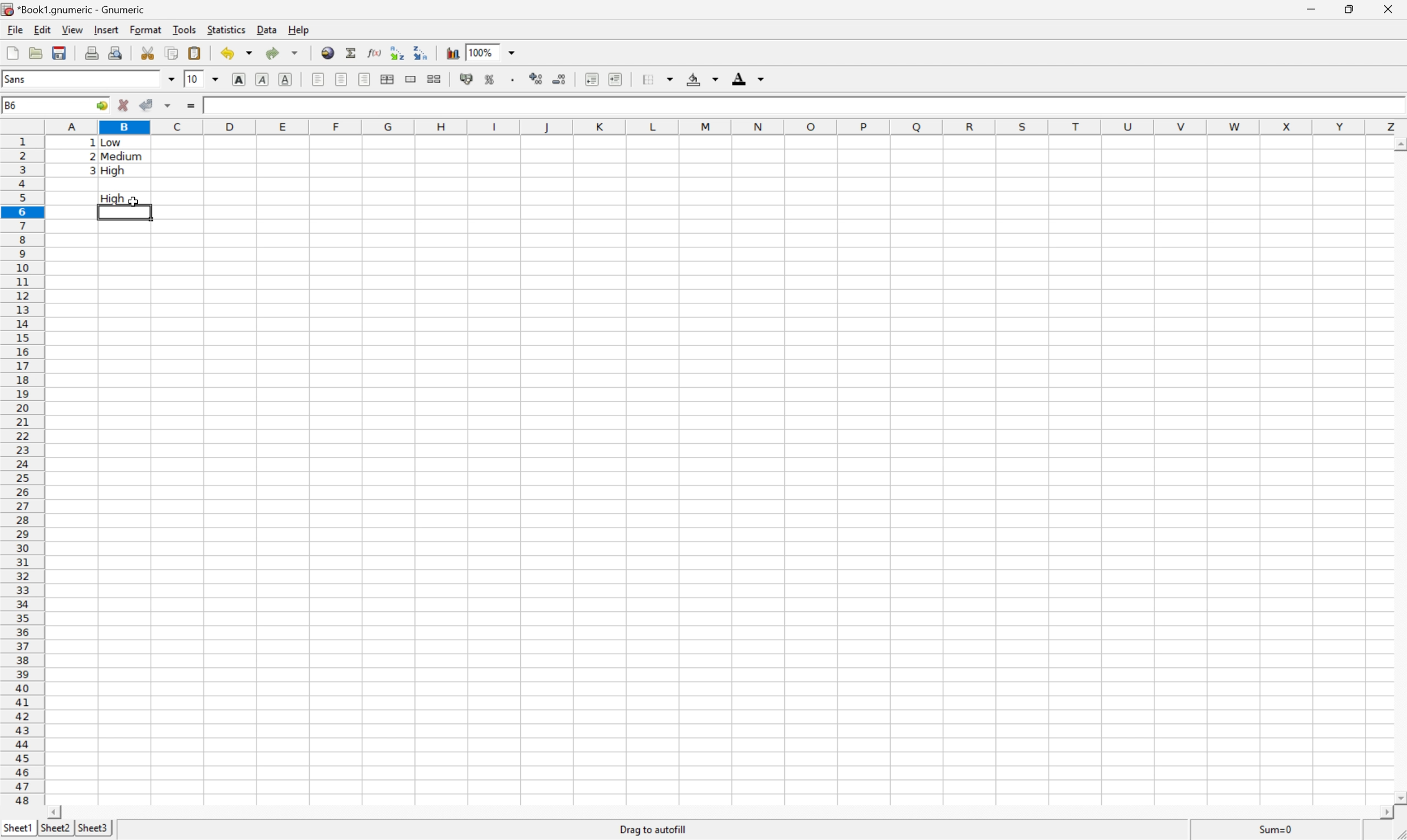 The width and height of the screenshot is (1407, 840). What do you see at coordinates (652, 829) in the screenshot?
I see `Drag To autofill` at bounding box center [652, 829].